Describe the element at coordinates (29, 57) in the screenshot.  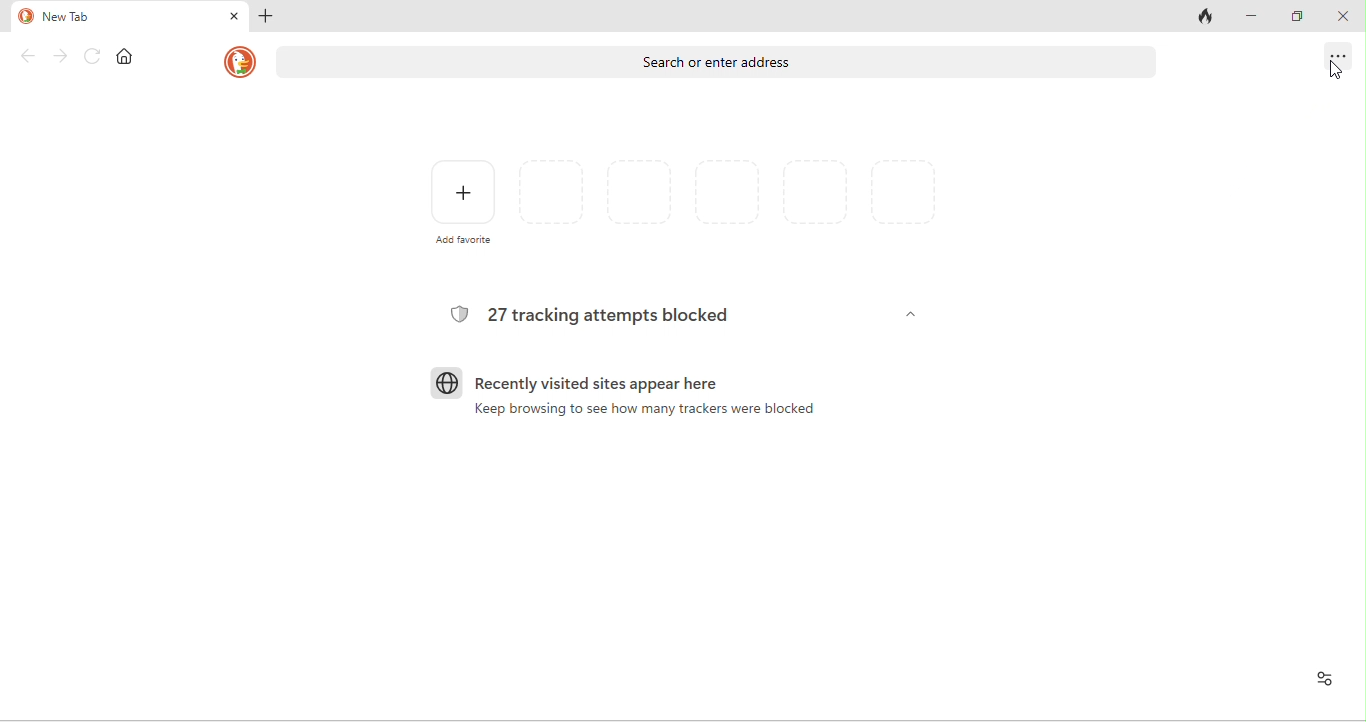
I see `back` at that location.